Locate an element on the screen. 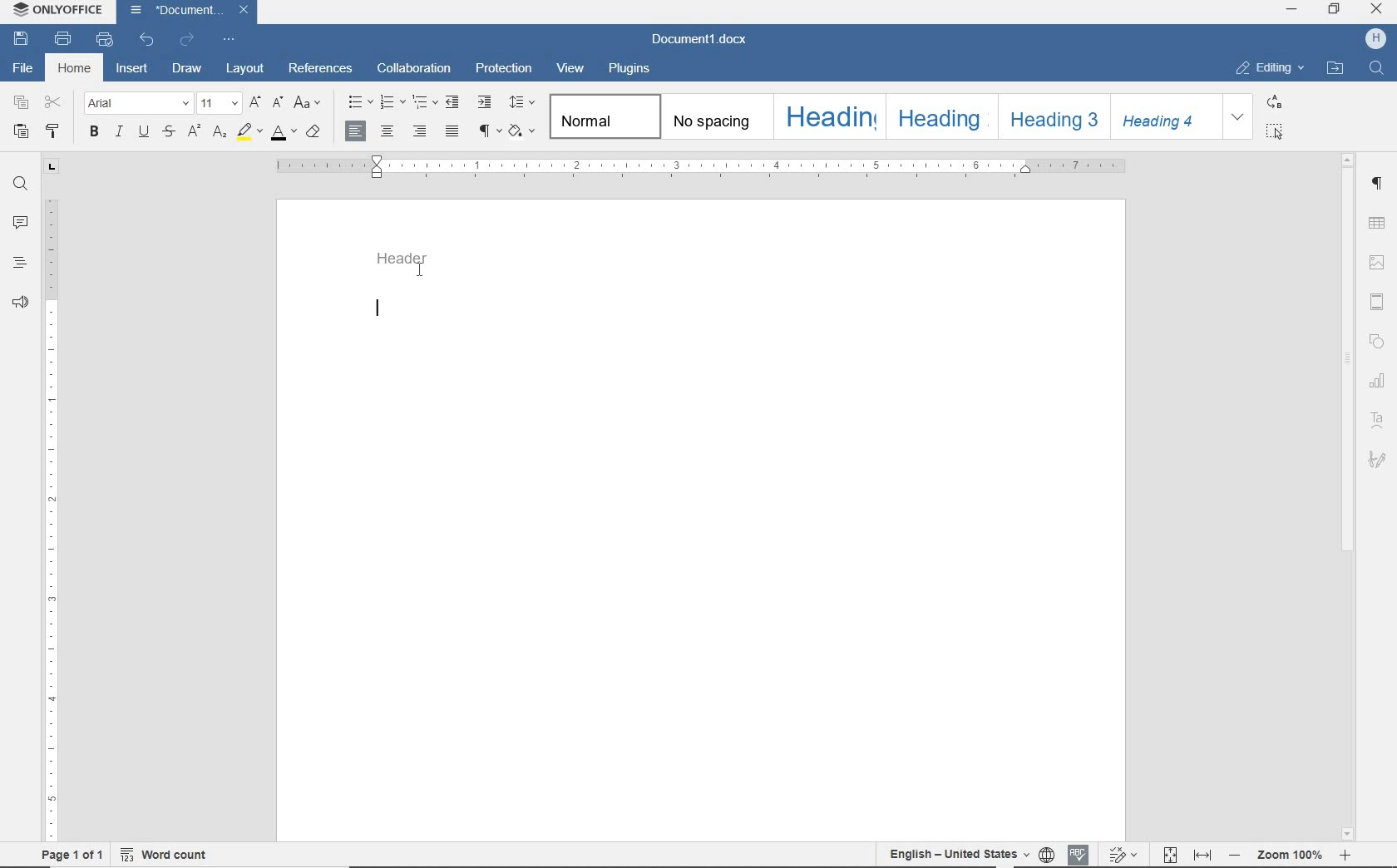 This screenshot has width=1397, height=868. CLOSE is located at coordinates (1376, 11).